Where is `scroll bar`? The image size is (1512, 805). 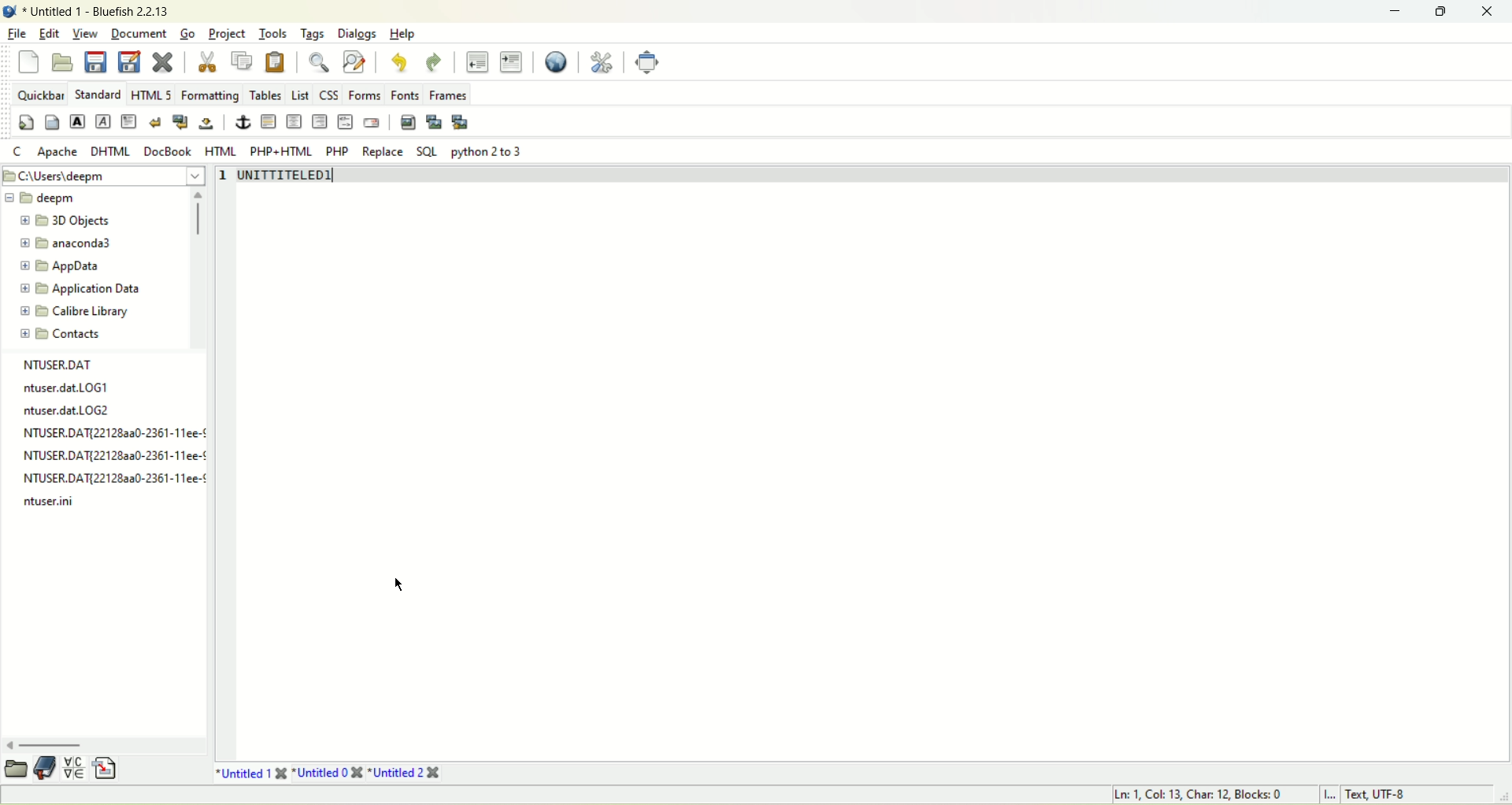 scroll bar is located at coordinates (70, 741).